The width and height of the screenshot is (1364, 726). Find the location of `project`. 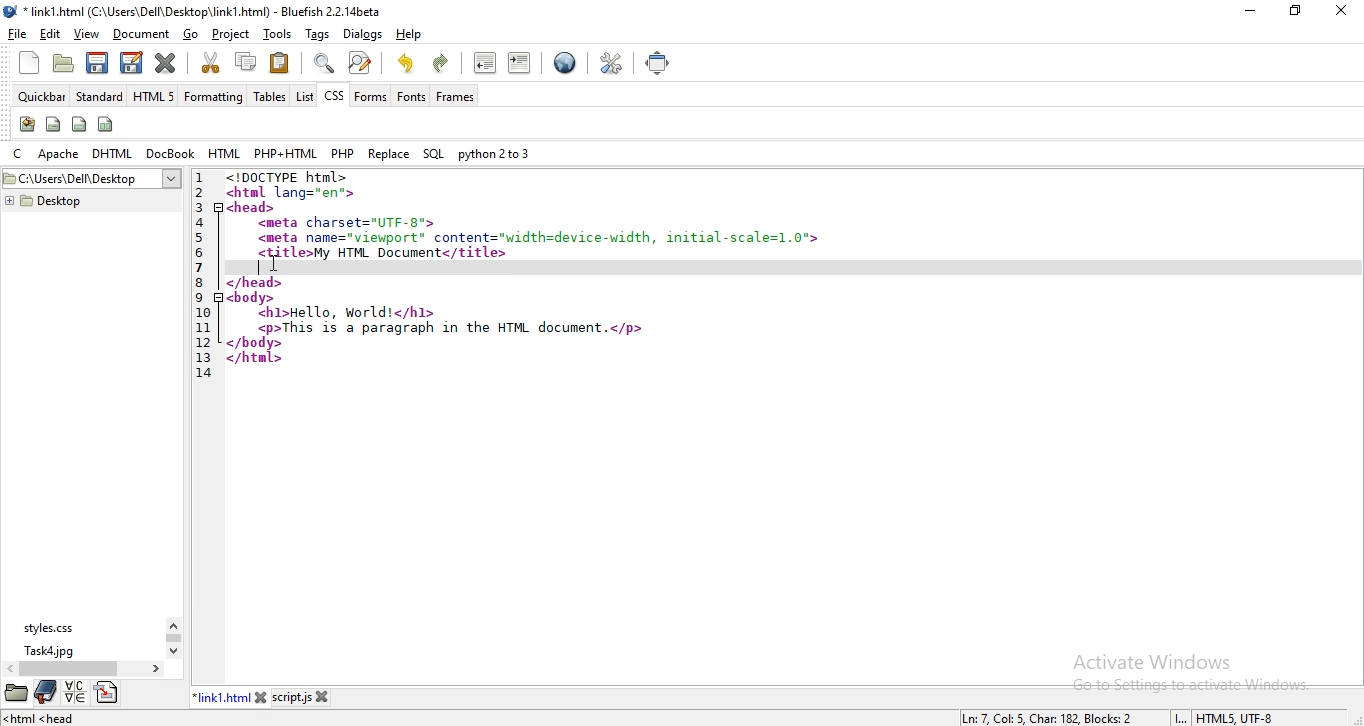

project is located at coordinates (231, 34).